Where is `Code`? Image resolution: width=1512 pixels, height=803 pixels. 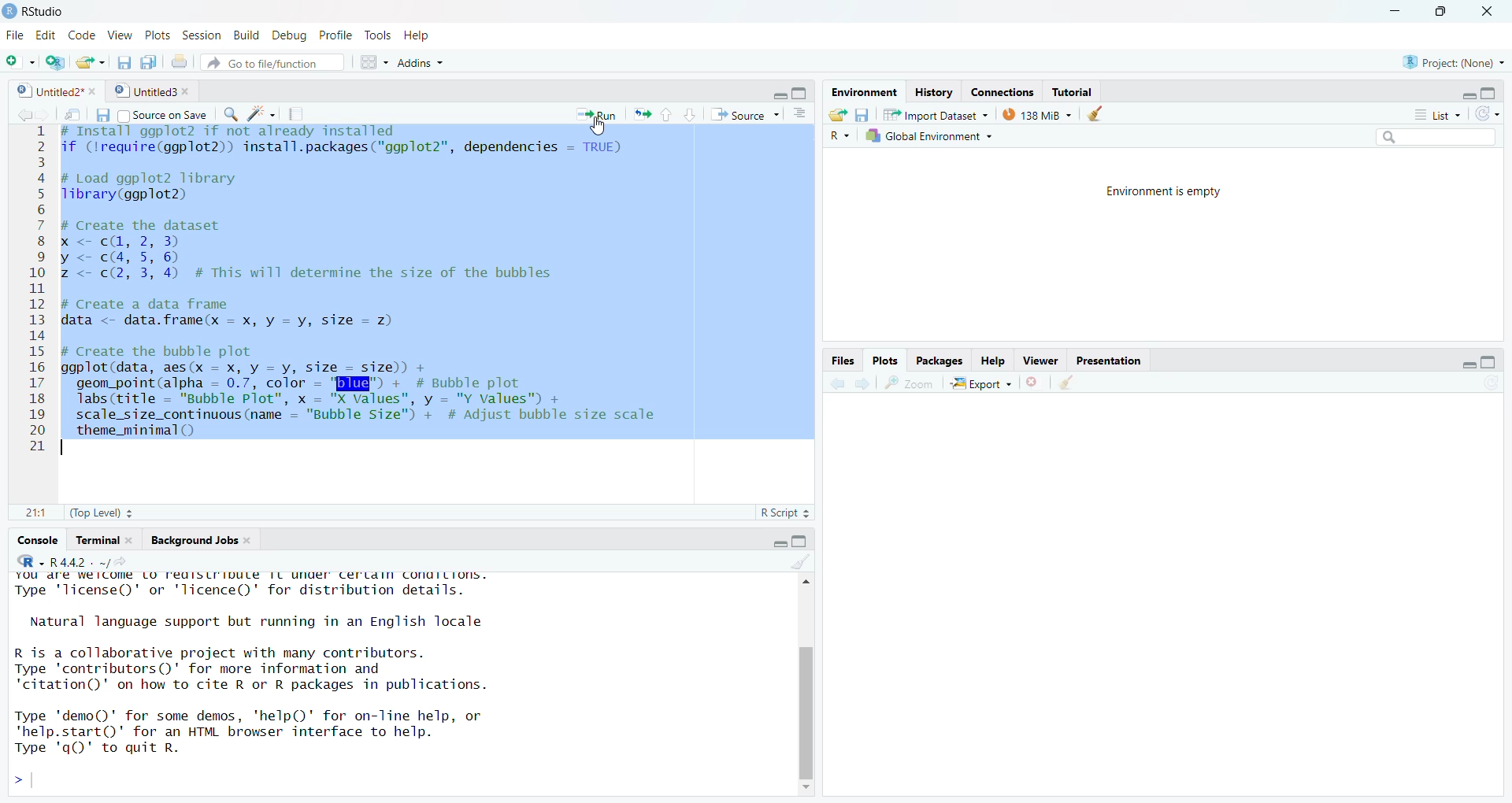
Code is located at coordinates (83, 36).